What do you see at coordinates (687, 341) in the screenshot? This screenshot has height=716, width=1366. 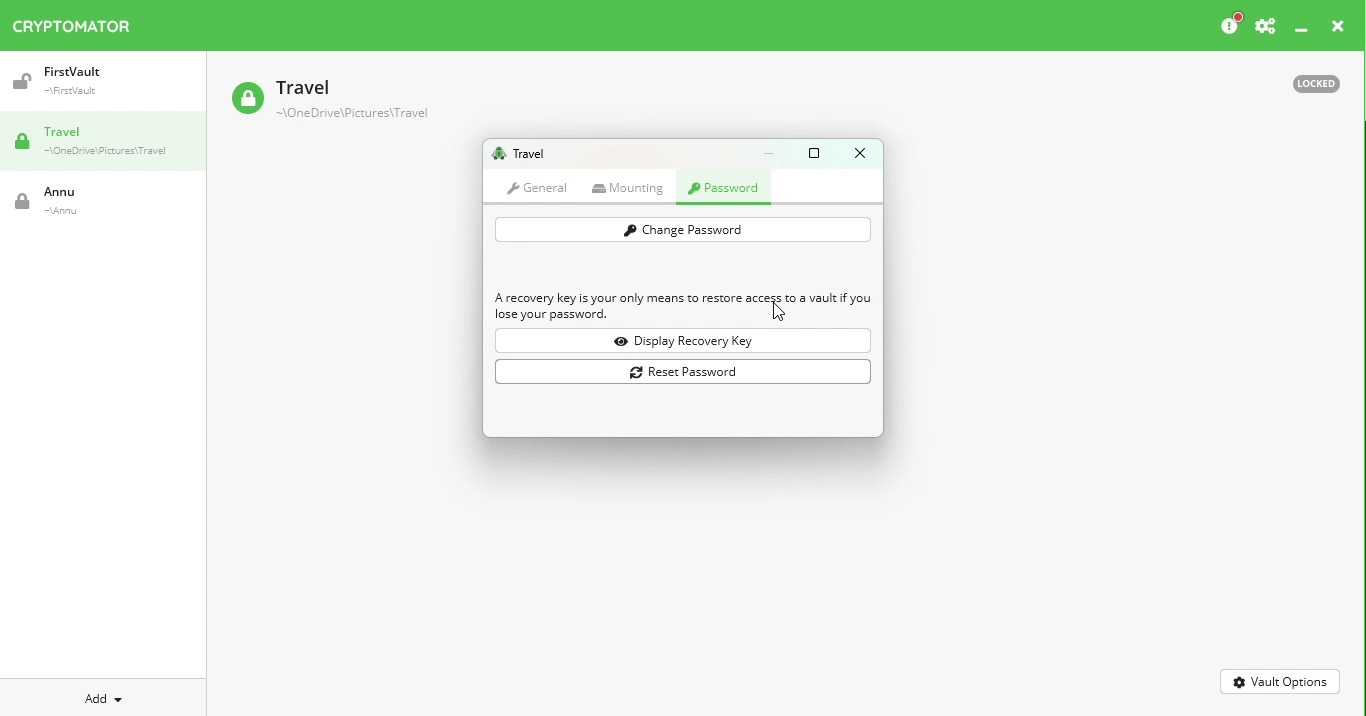 I see `Display recovery key` at bounding box center [687, 341].